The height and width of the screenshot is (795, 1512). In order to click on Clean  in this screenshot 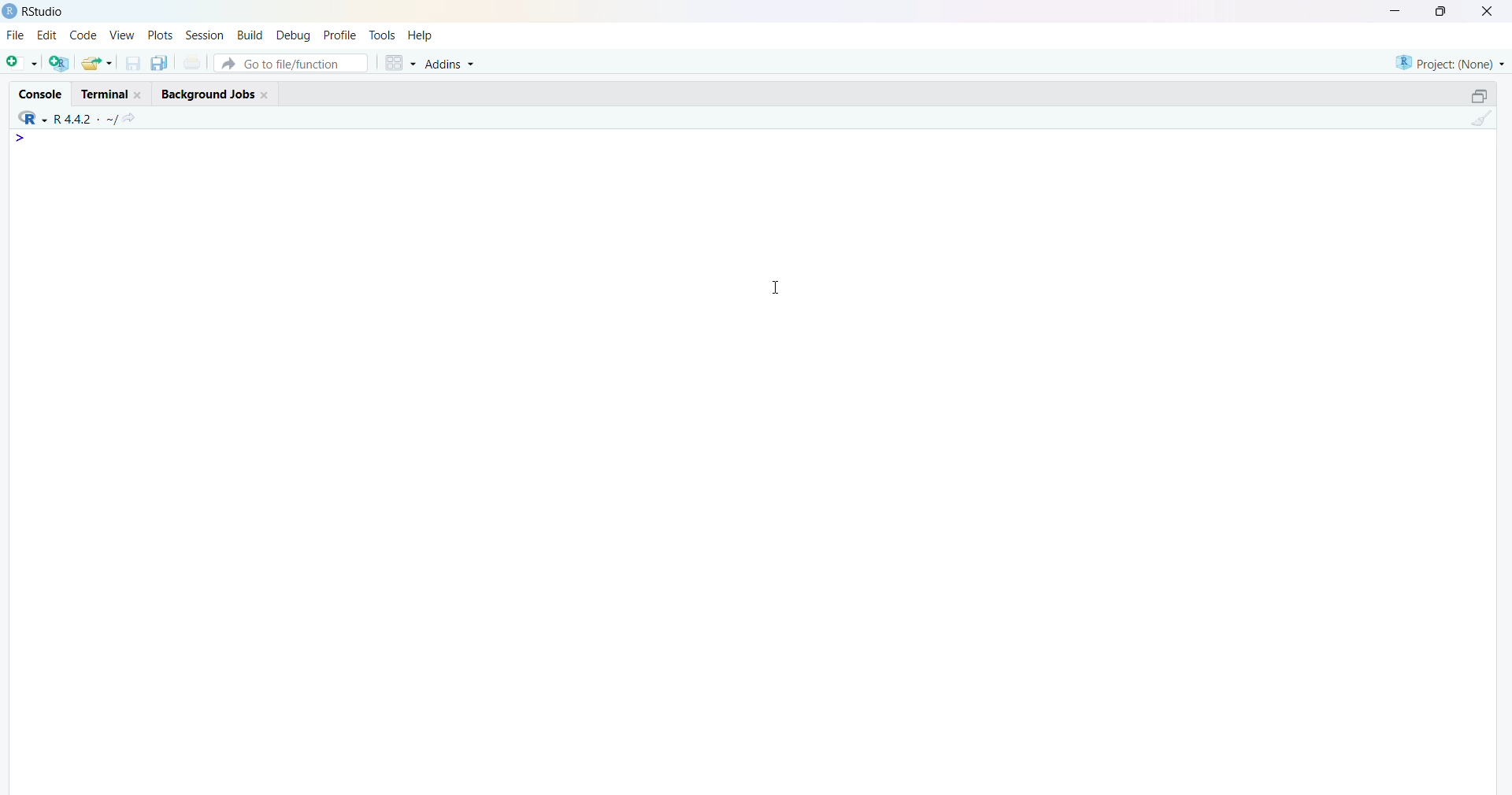, I will do `click(1481, 117)`.